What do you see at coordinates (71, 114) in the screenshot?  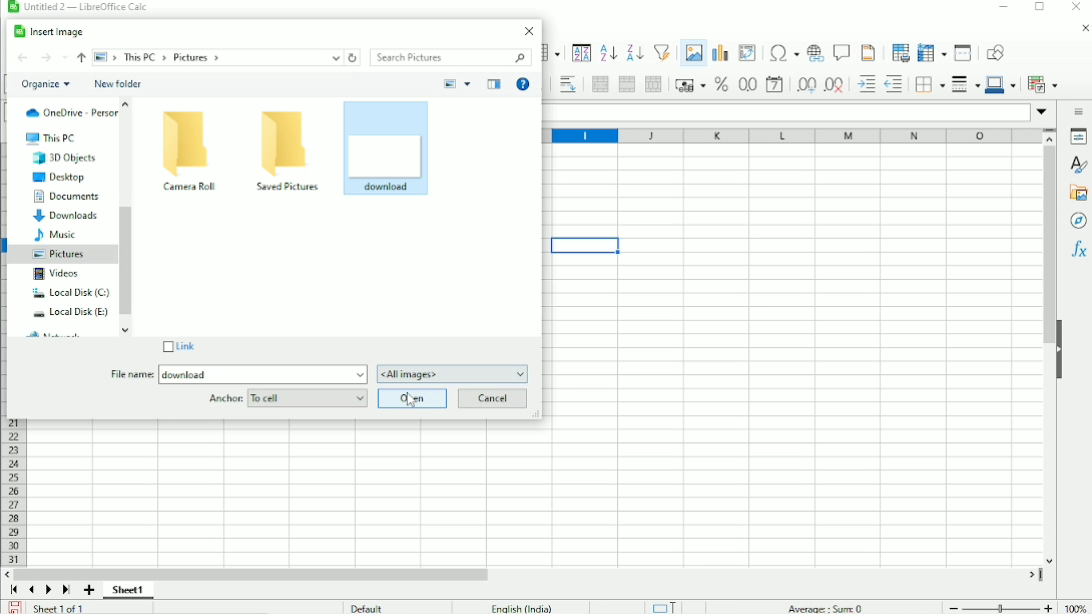 I see `OneDrive-Personal` at bounding box center [71, 114].